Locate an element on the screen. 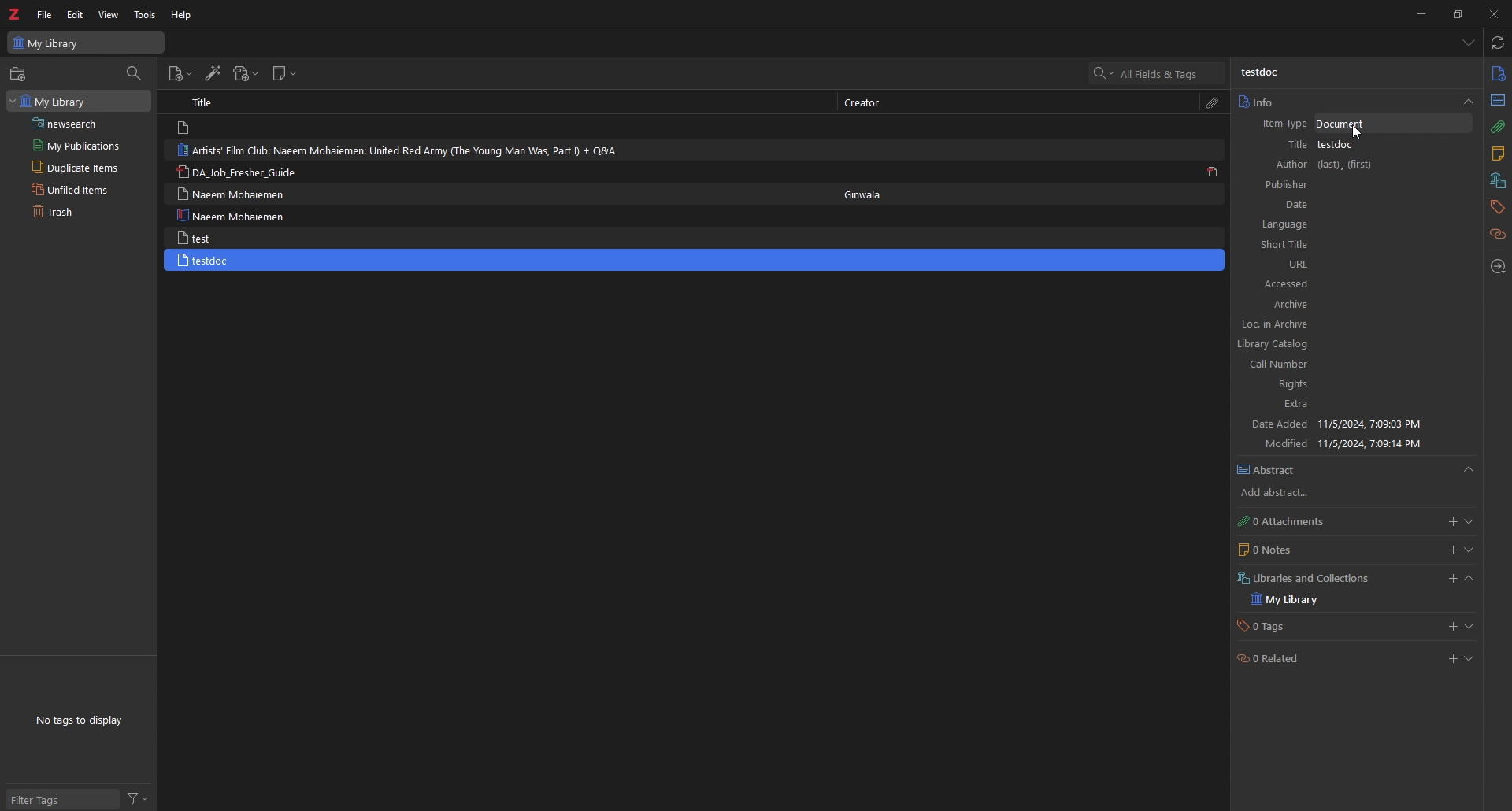  file logo is located at coordinates (186, 128).